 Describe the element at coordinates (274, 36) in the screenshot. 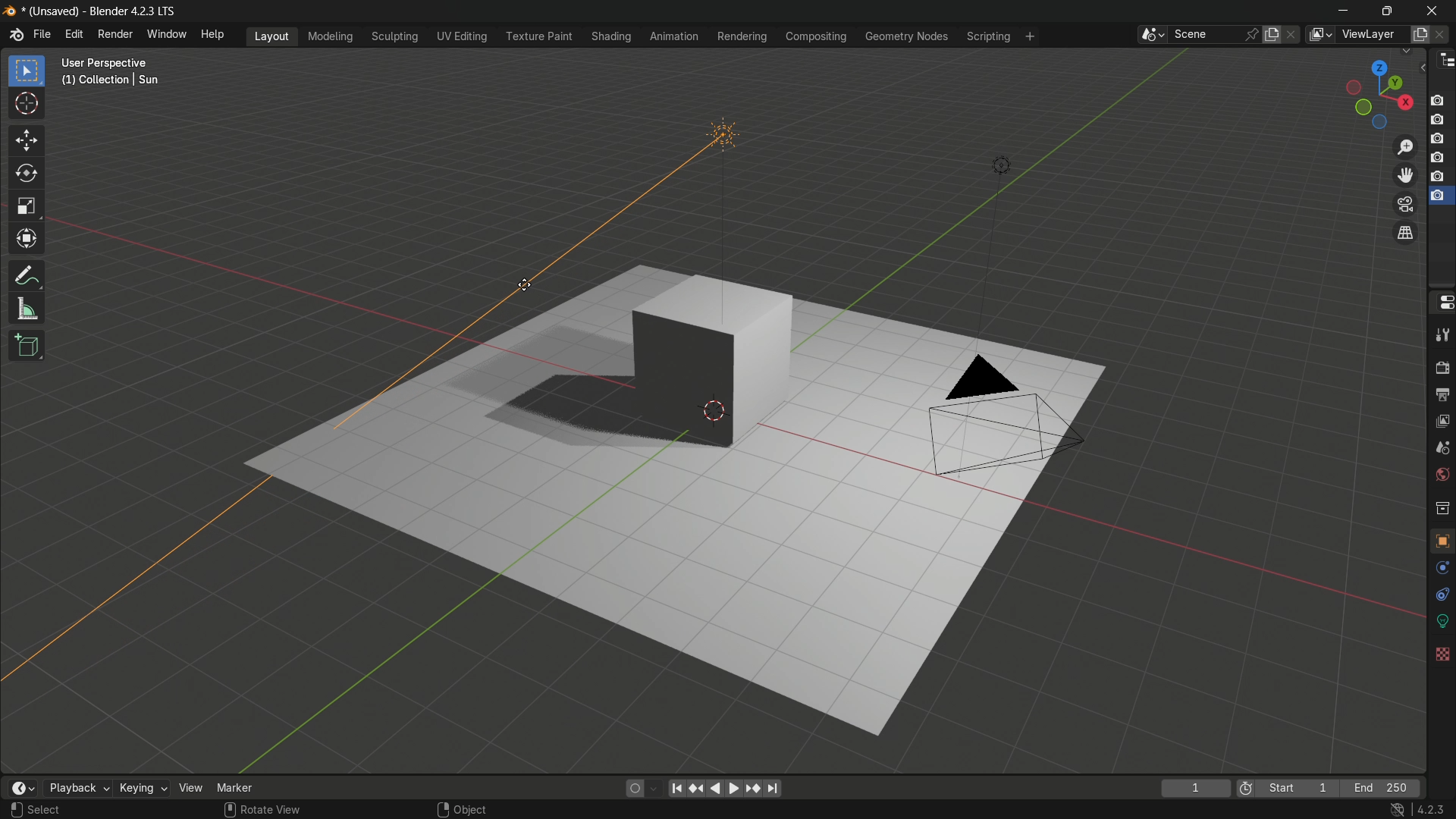

I see `layout` at that location.